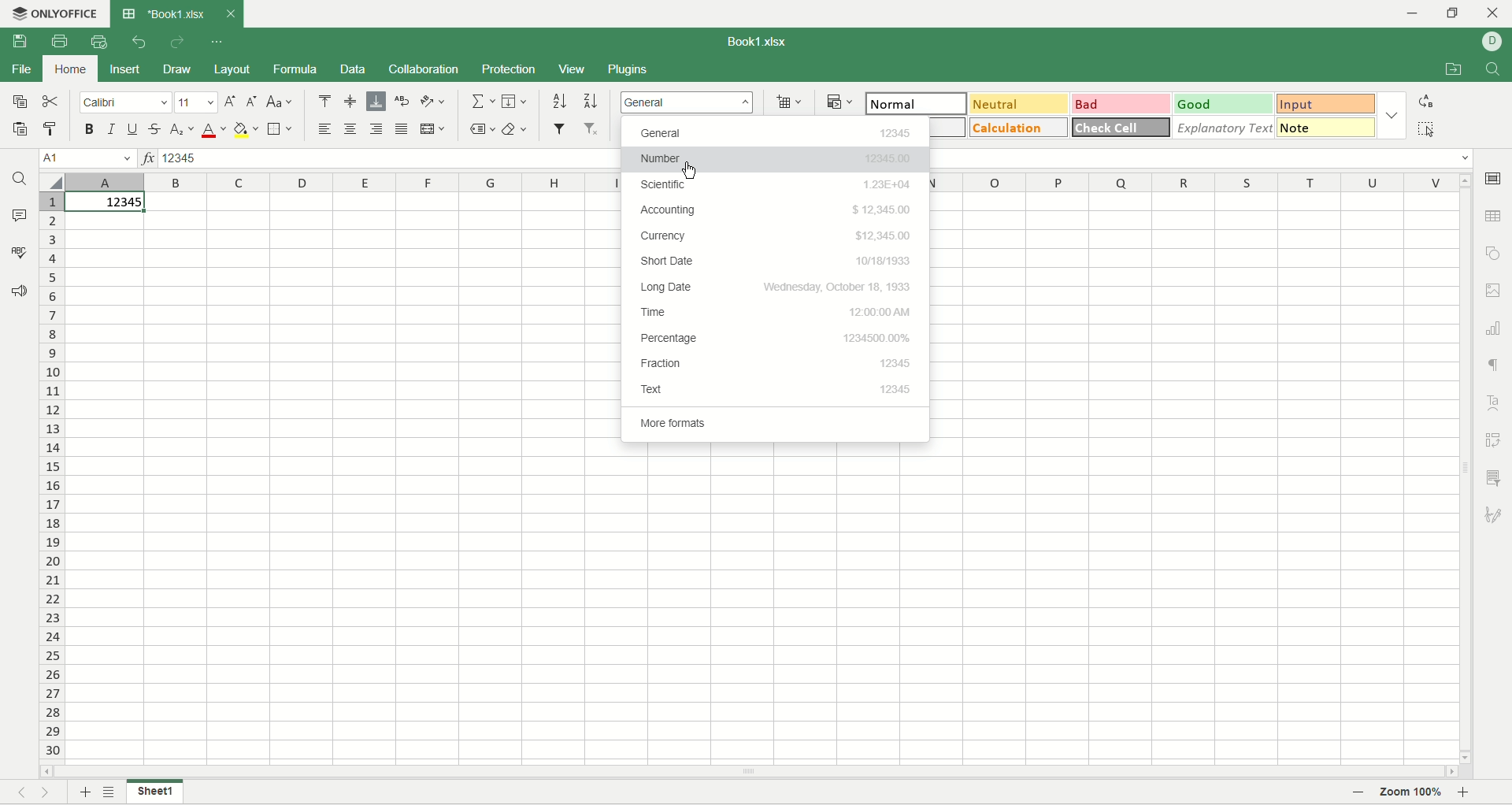 Image resolution: width=1512 pixels, height=805 pixels. I want to click on remove filter, so click(590, 129).